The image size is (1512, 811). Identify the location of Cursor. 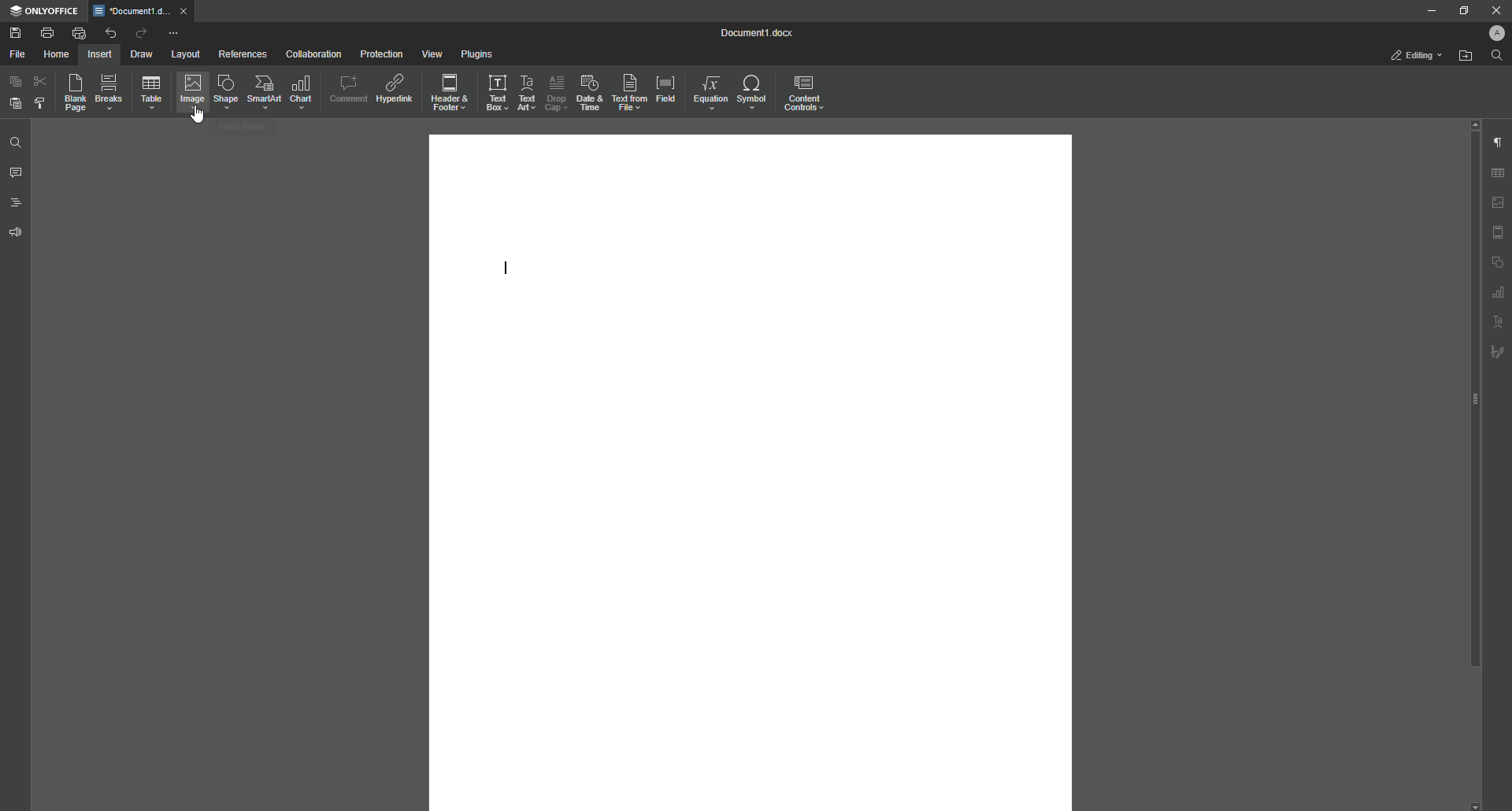
(198, 118).